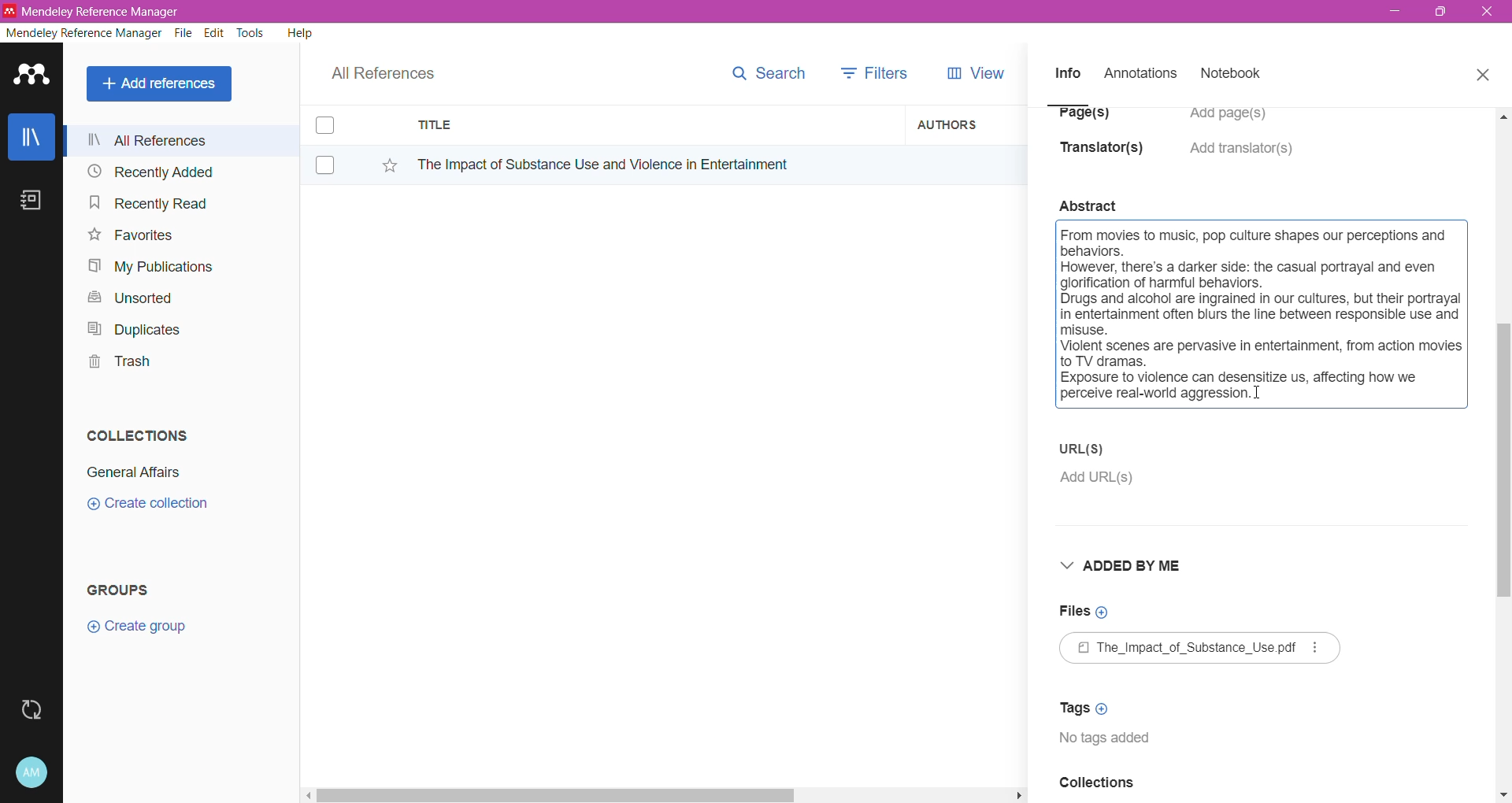 The width and height of the screenshot is (1512, 803). I want to click on Library, so click(31, 139).